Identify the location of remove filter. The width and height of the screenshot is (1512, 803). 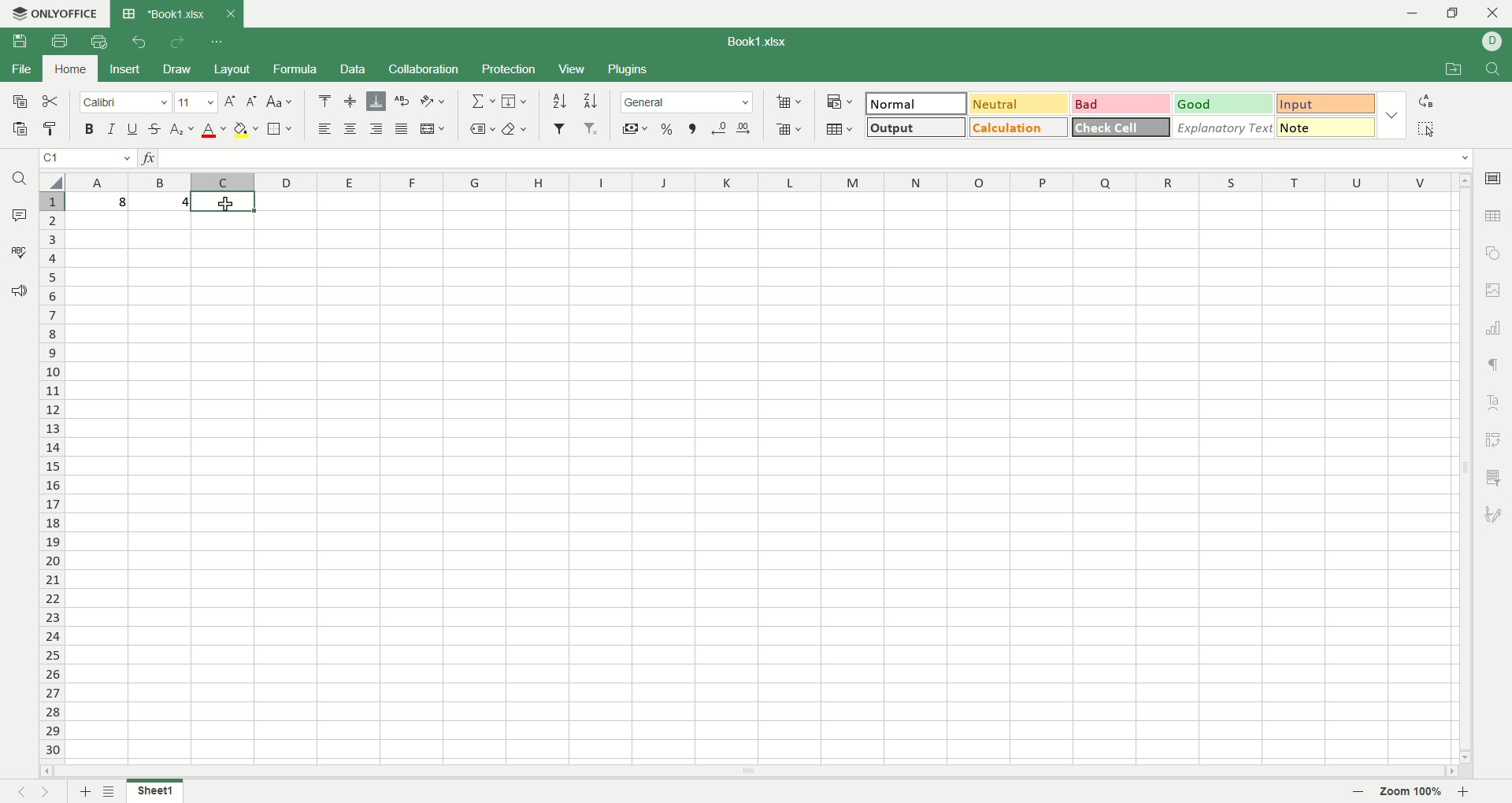
(592, 128).